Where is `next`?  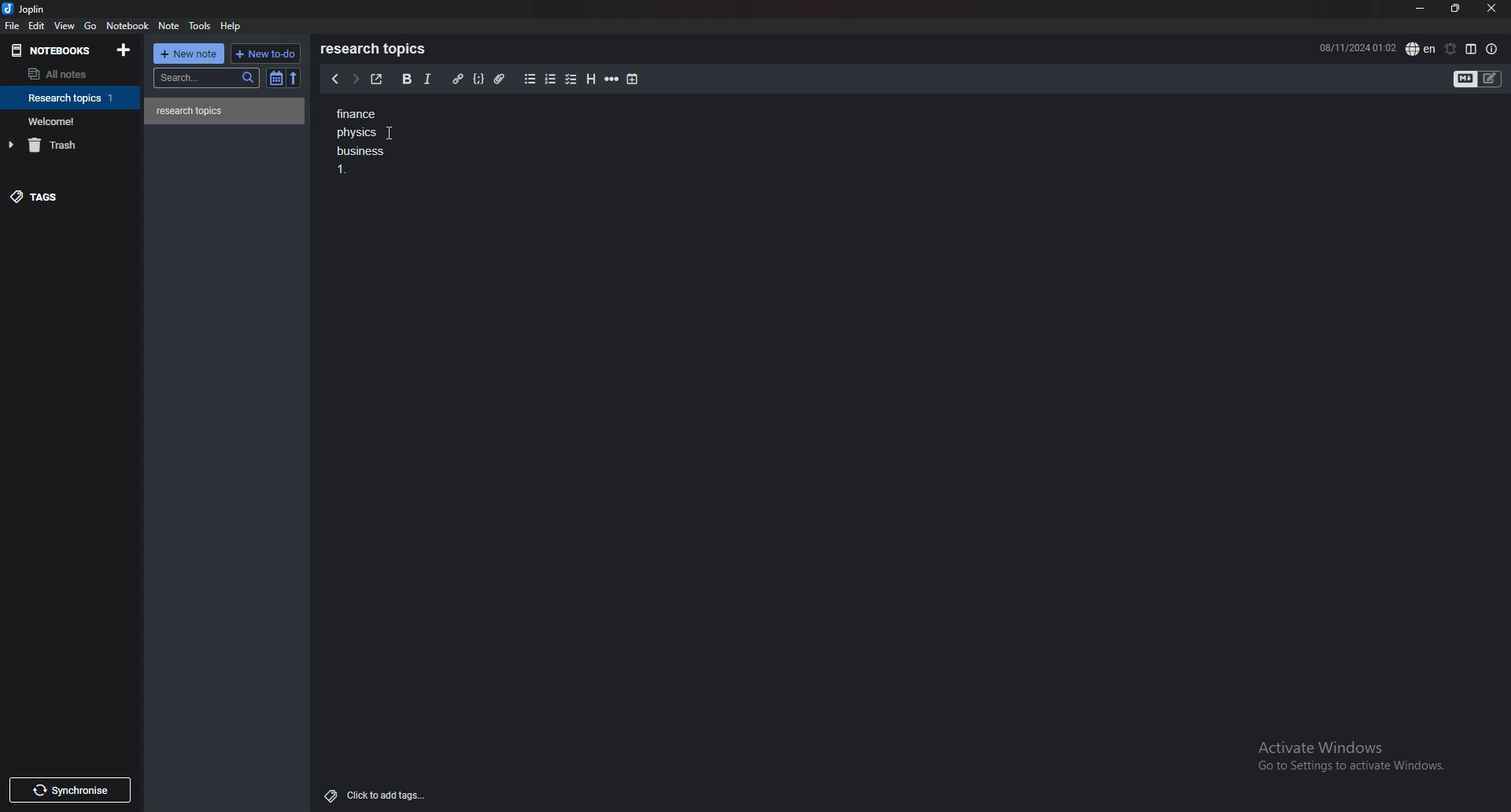 next is located at coordinates (353, 80).